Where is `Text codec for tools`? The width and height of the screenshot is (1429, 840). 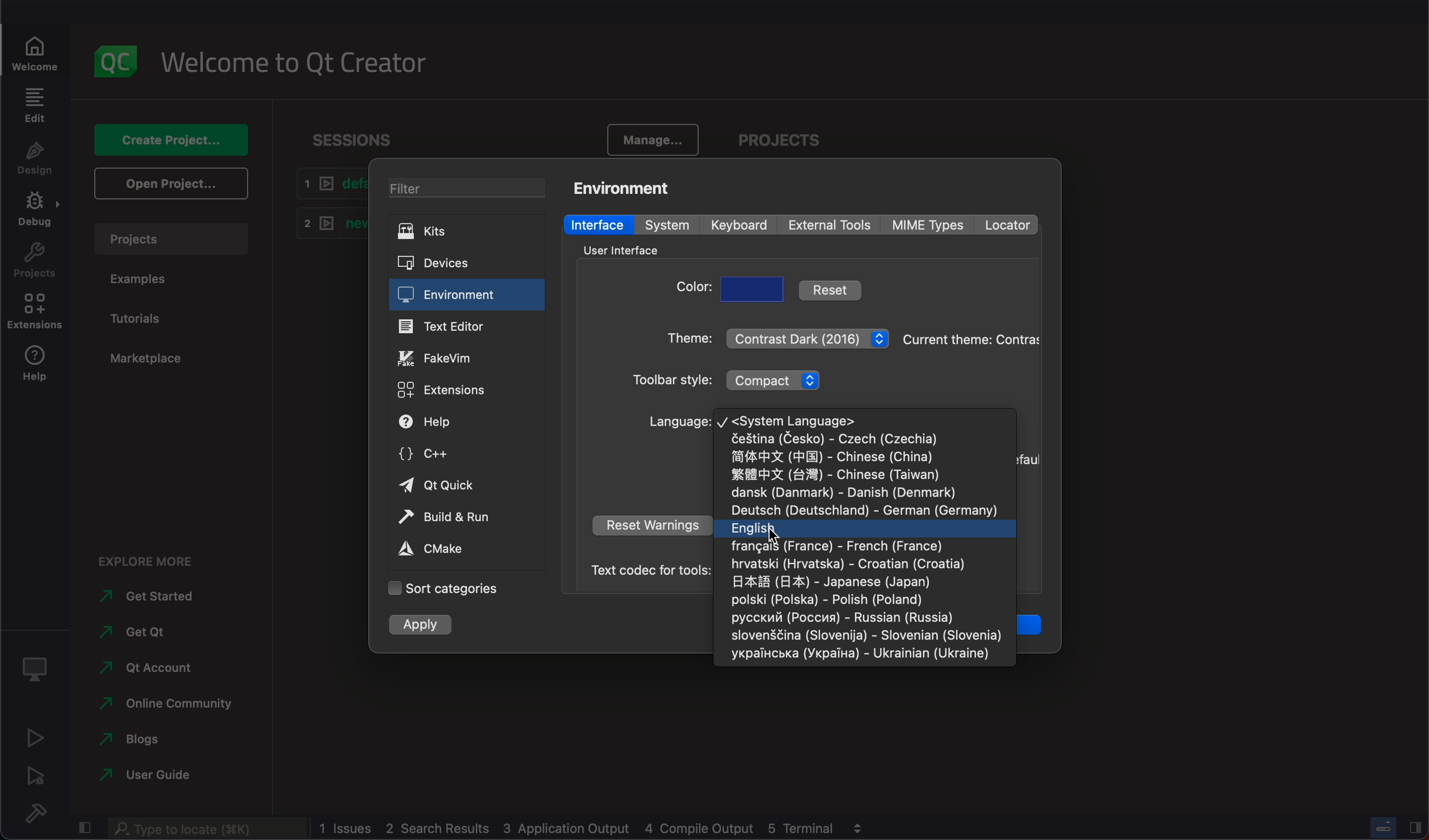 Text codec for tools is located at coordinates (645, 570).